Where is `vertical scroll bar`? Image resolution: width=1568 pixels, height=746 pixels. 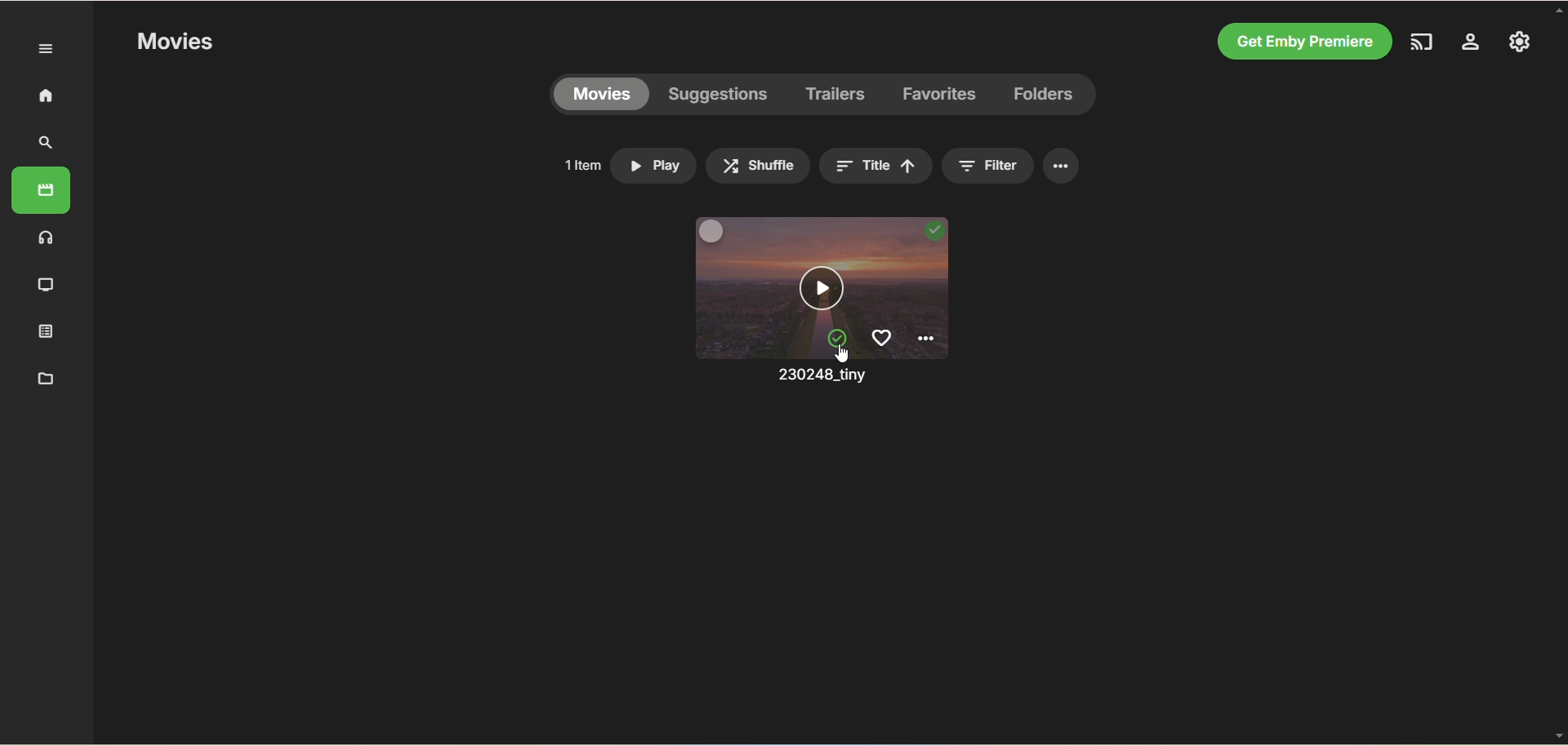 vertical scroll bar is located at coordinates (1558, 371).